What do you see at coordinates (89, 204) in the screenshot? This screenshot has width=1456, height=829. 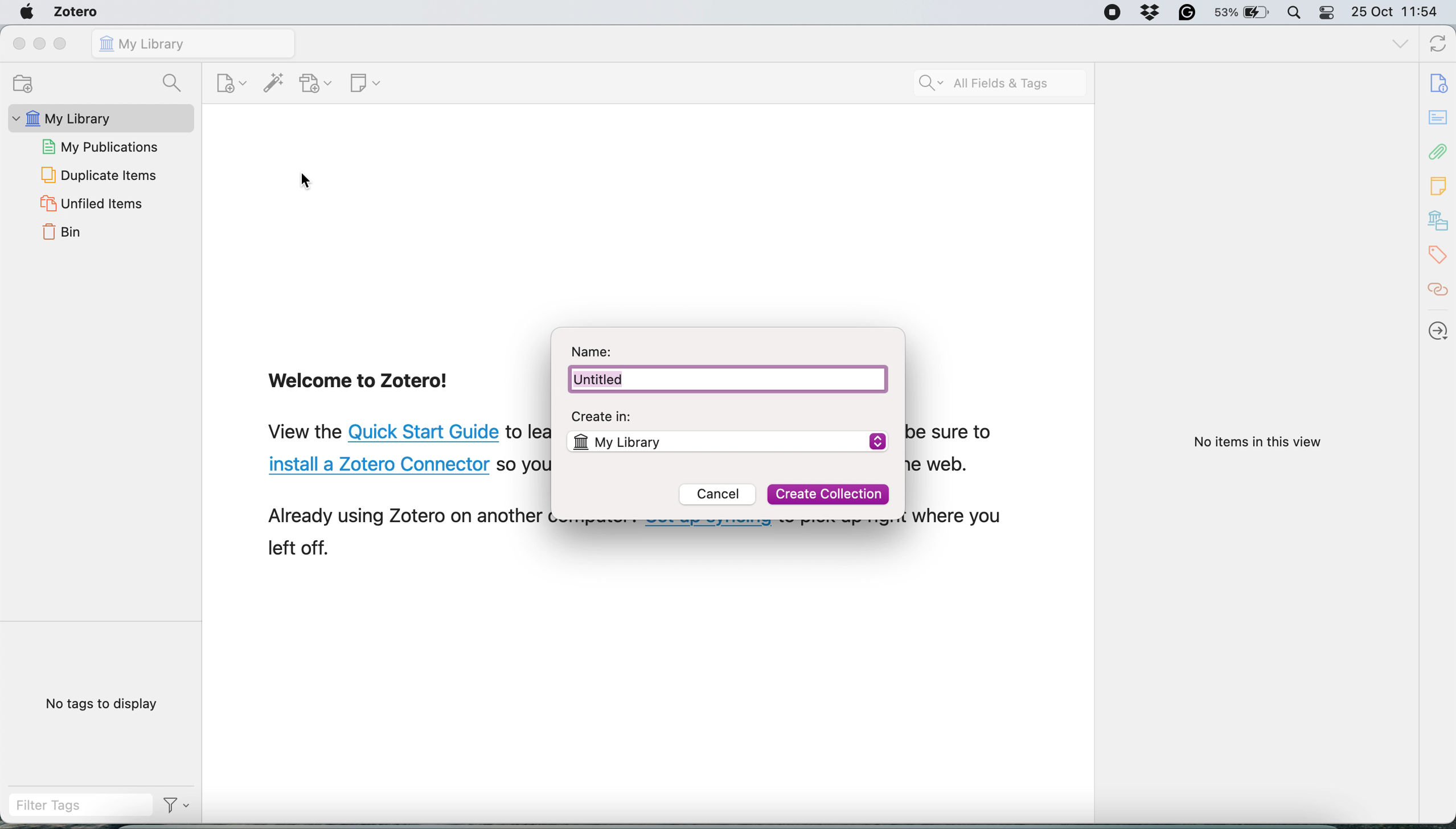 I see `unfiled items` at bounding box center [89, 204].